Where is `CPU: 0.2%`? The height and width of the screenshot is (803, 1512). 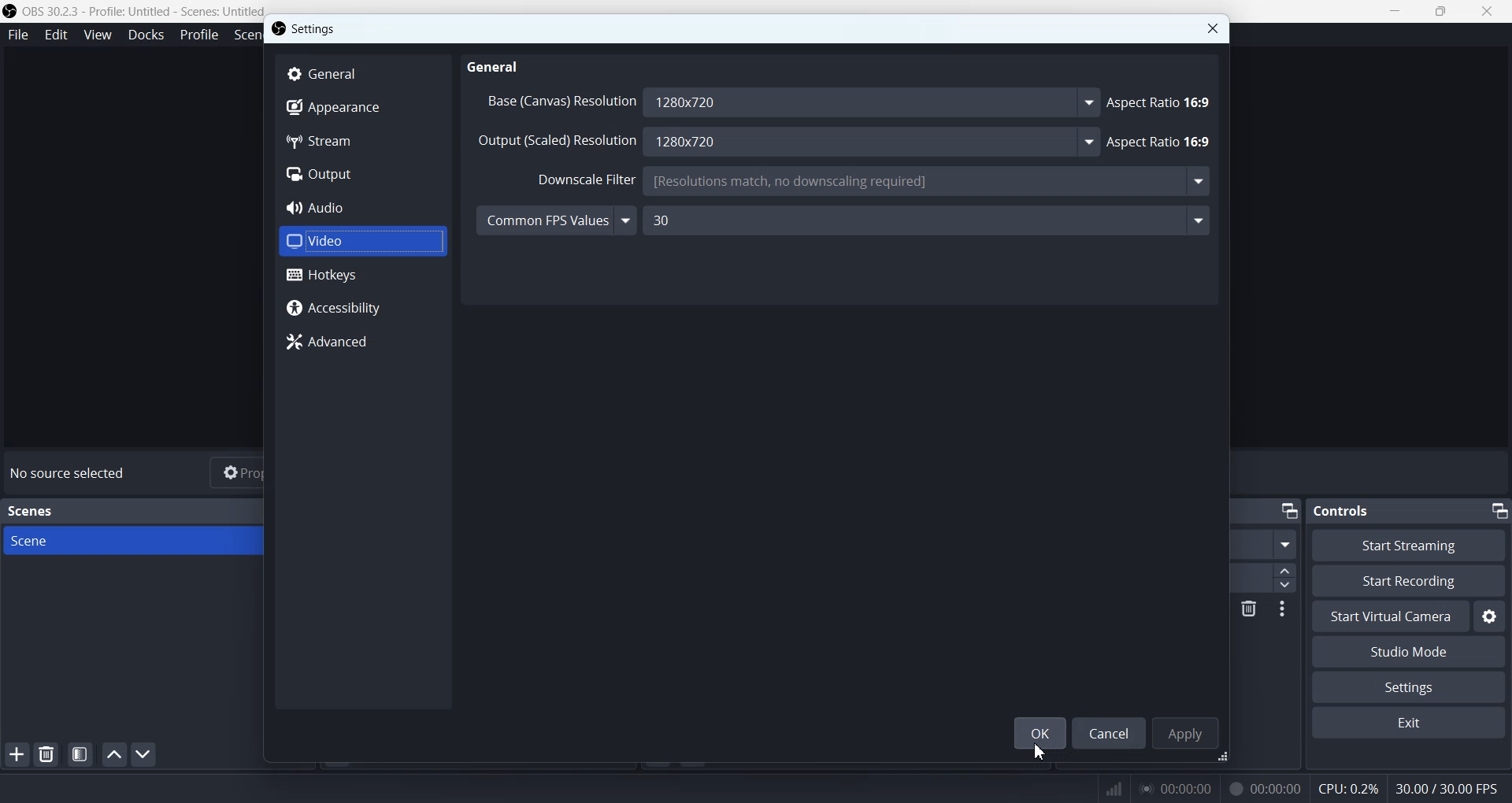
CPU: 0.2% is located at coordinates (1345, 788).